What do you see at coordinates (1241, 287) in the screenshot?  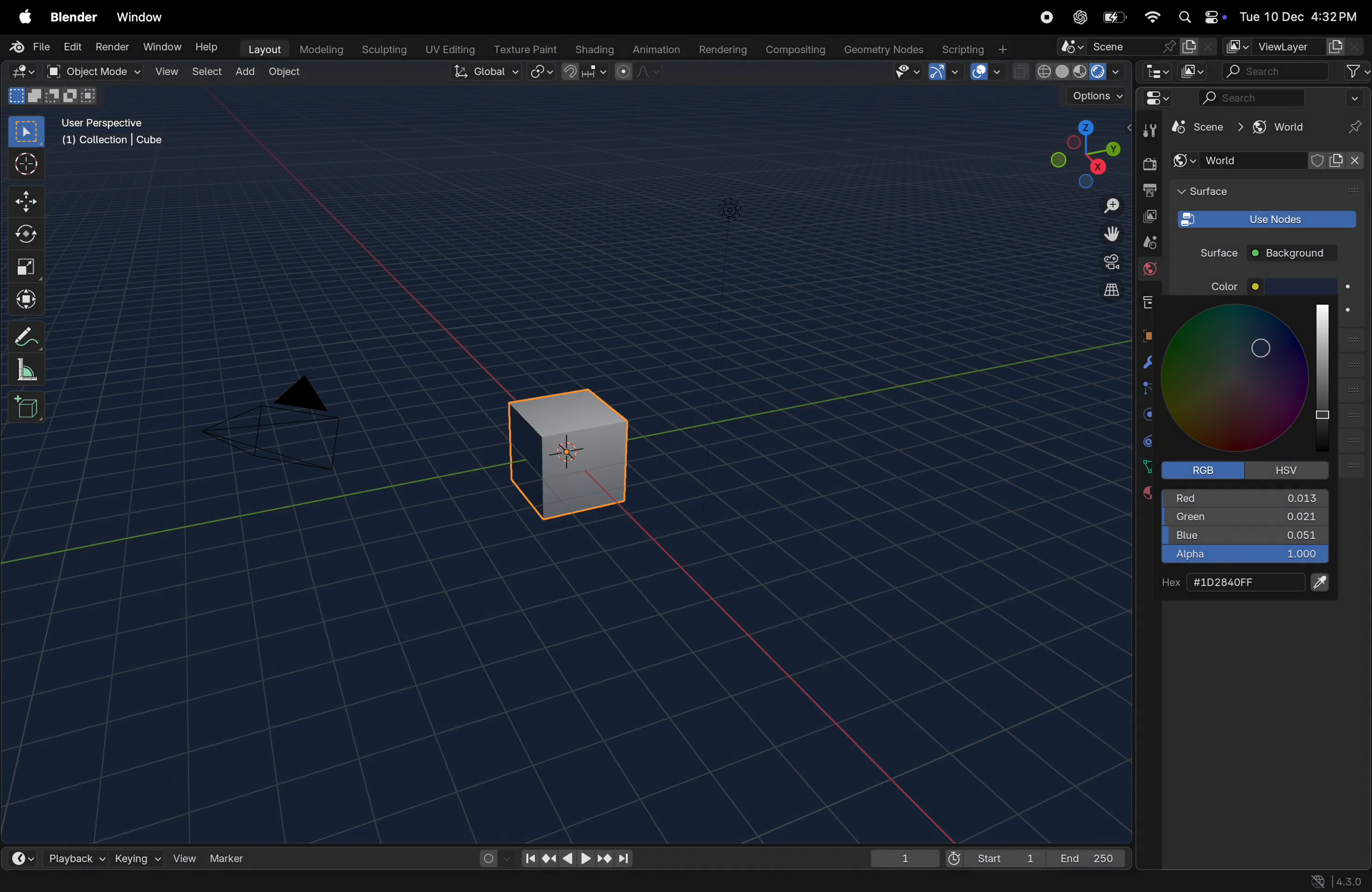 I see `Color ©` at bounding box center [1241, 287].